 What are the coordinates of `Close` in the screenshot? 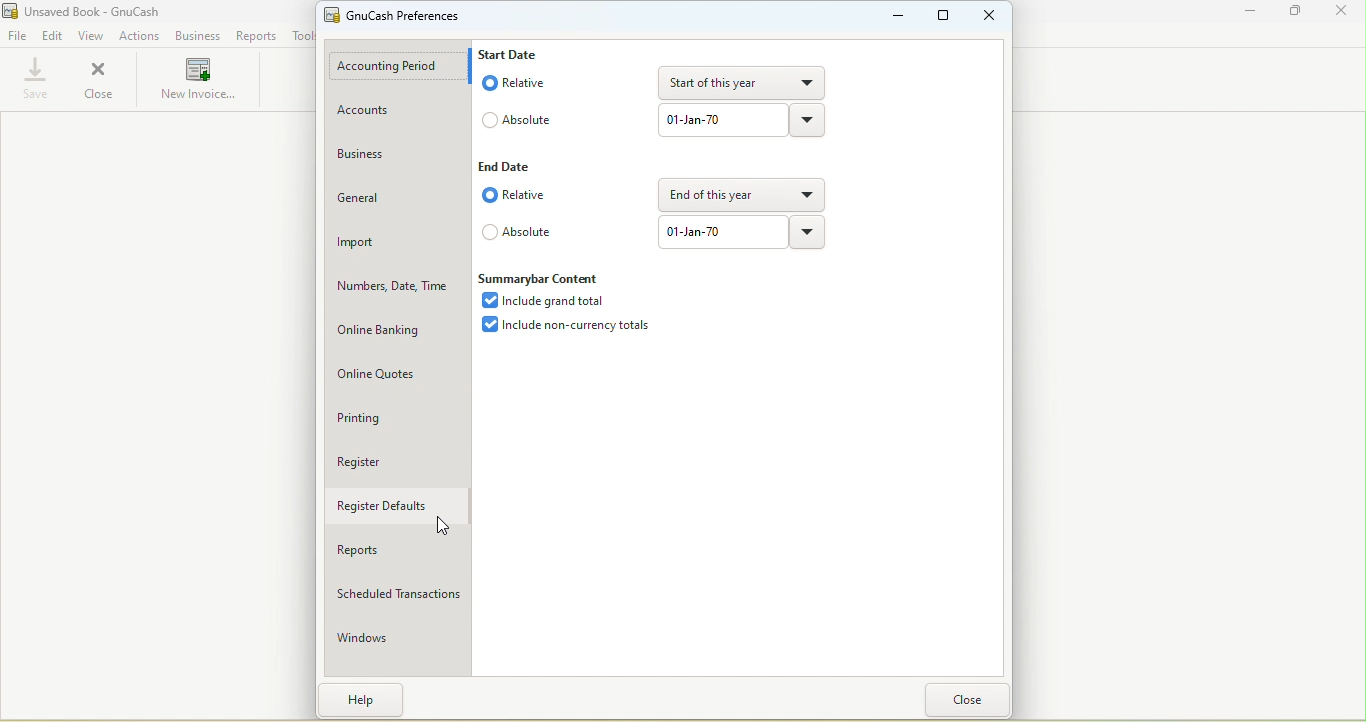 It's located at (1342, 12).